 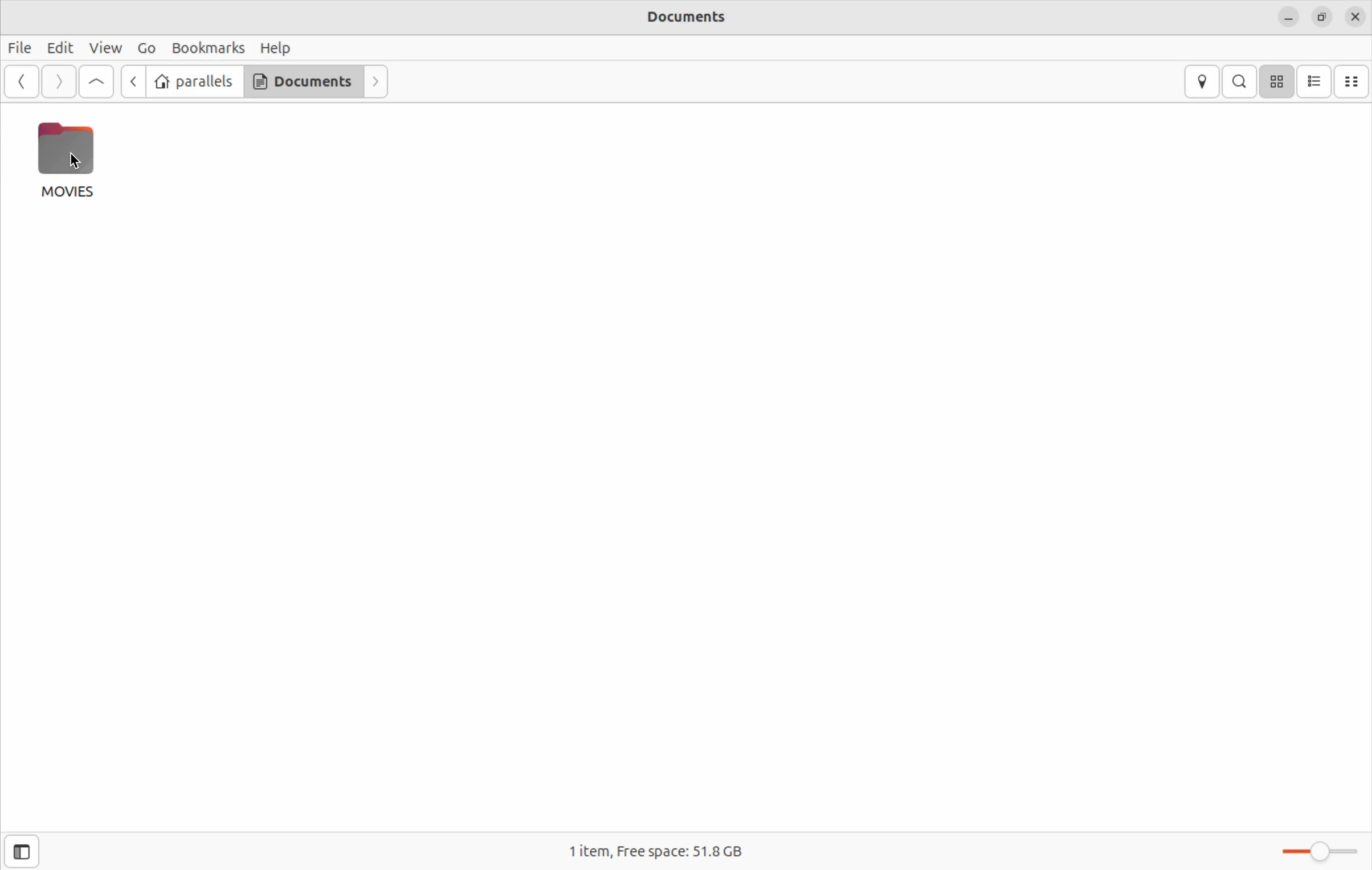 I want to click on resize, so click(x=1322, y=16).